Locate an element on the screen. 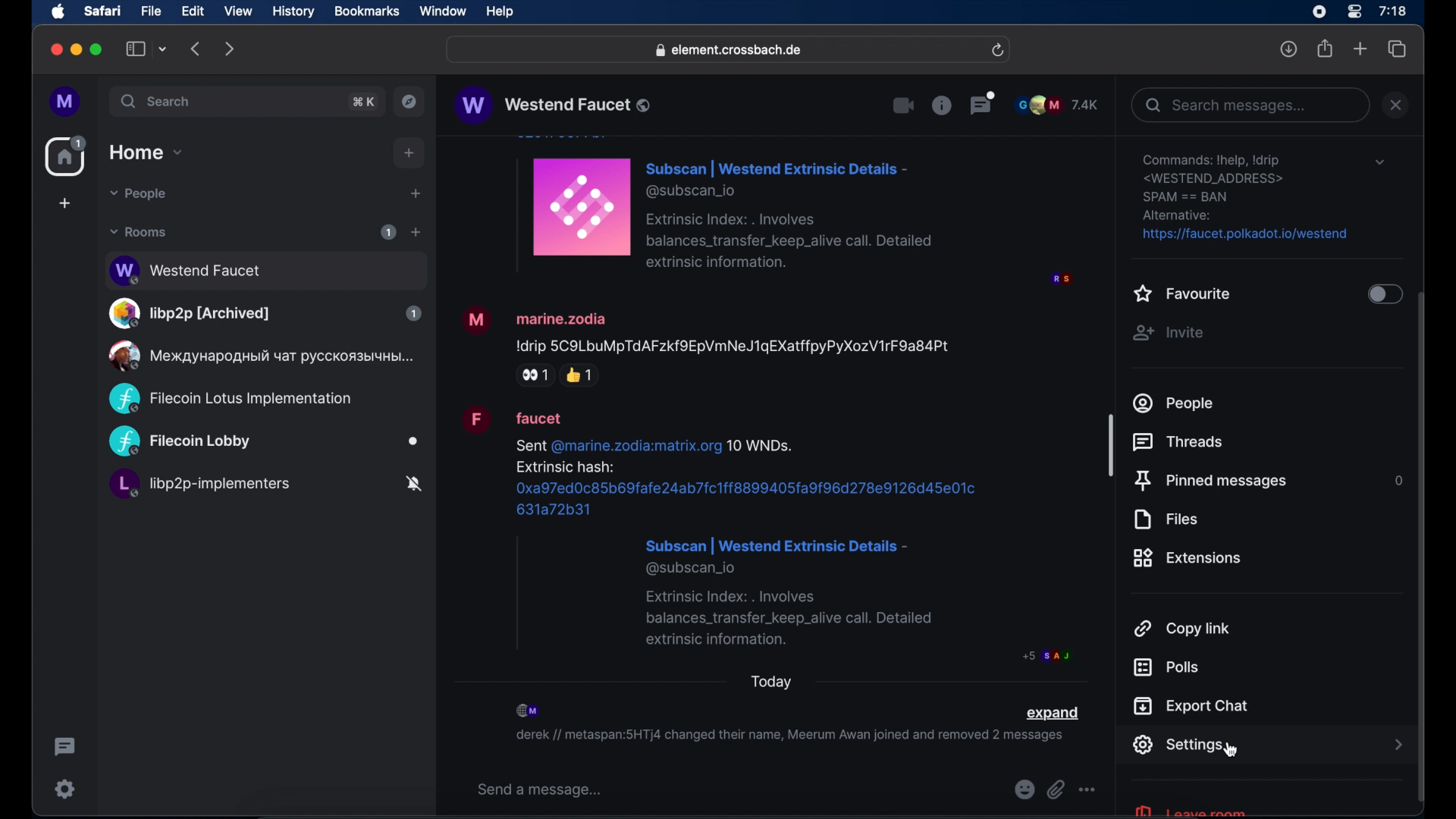 This screenshot has width=1456, height=819. attachments is located at coordinates (1056, 790).